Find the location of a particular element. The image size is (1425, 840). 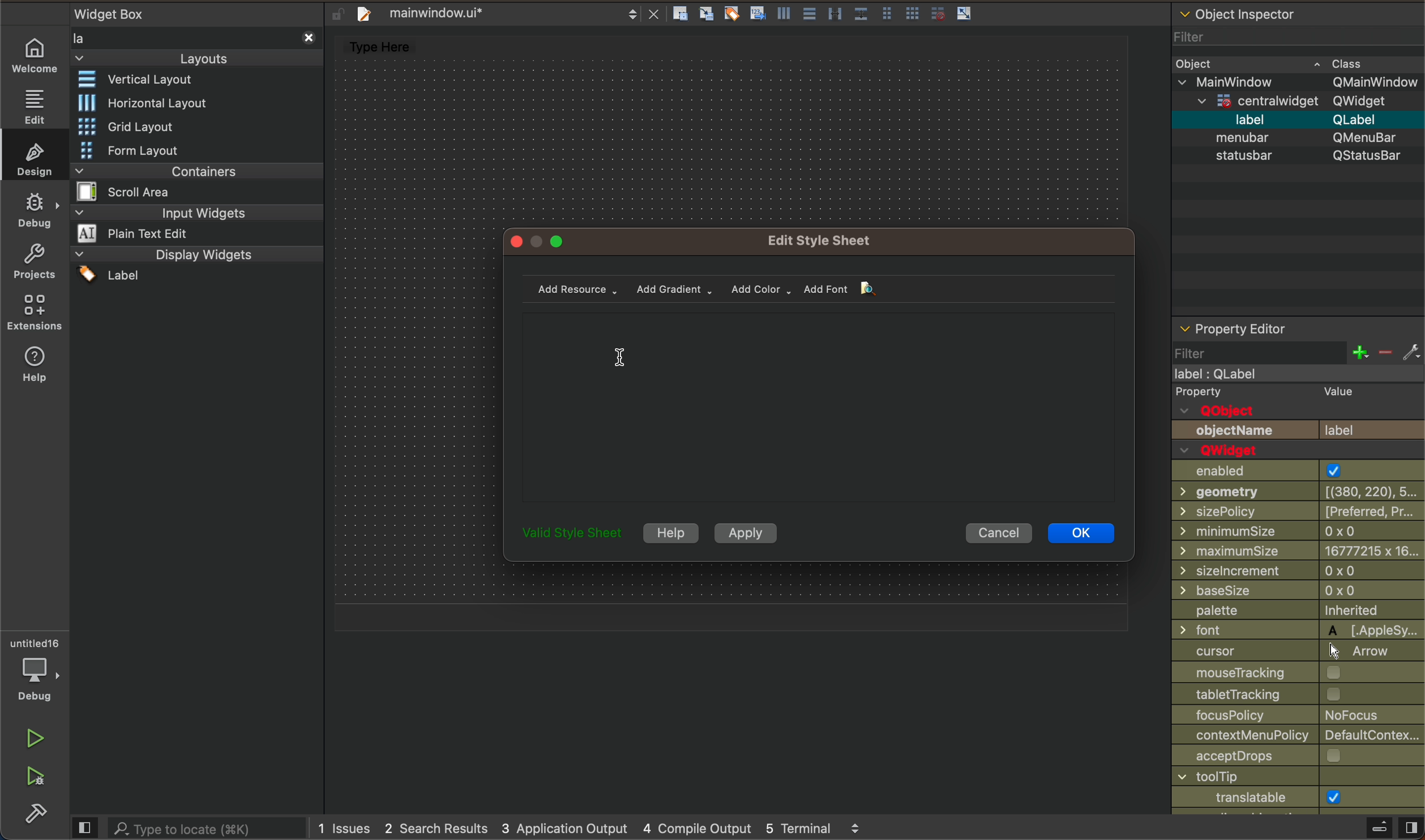

display widgets is located at coordinates (197, 267).